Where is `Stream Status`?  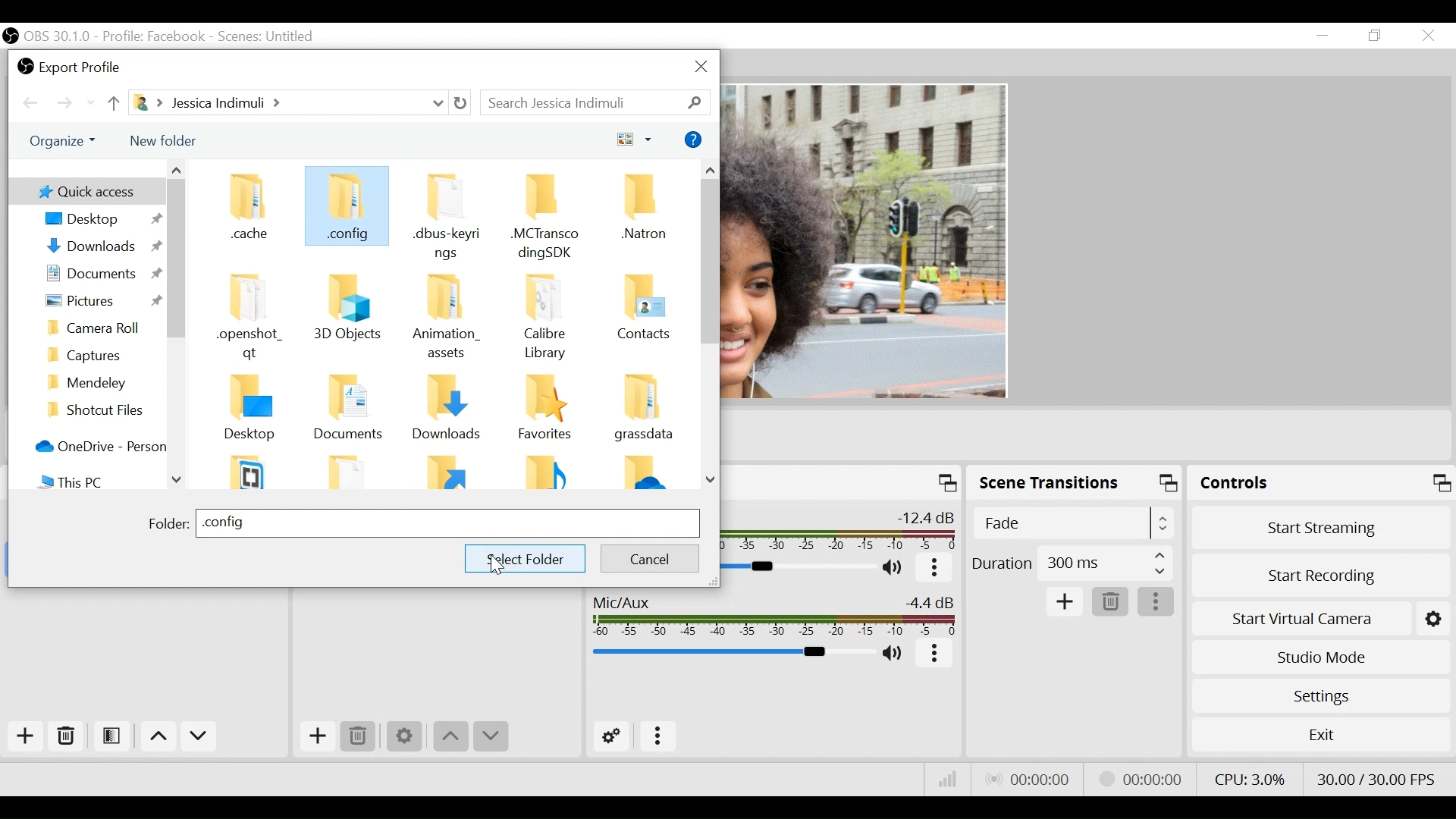 Stream Status is located at coordinates (1150, 779).